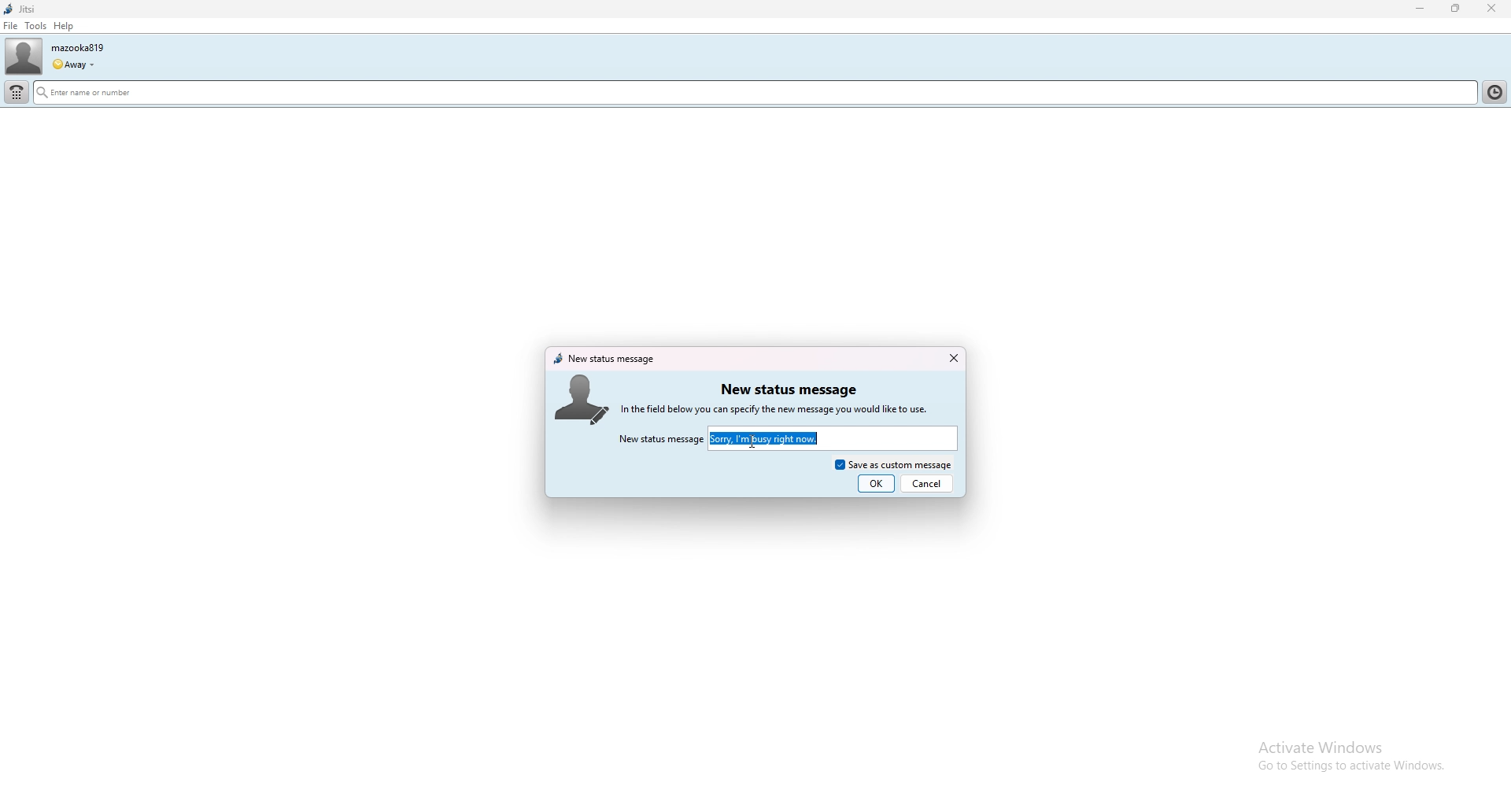  What do you see at coordinates (952, 358) in the screenshot?
I see `close` at bounding box center [952, 358].